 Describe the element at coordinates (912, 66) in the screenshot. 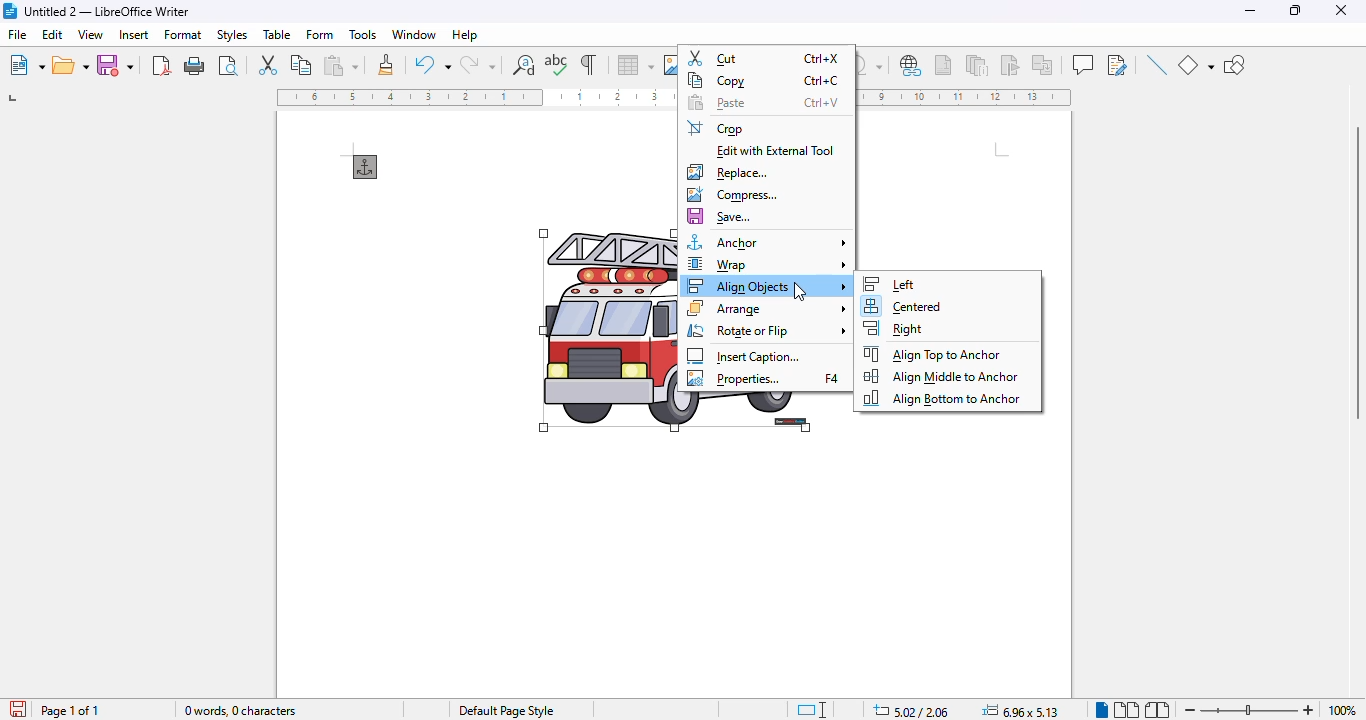

I see `insert hyperlink` at that location.